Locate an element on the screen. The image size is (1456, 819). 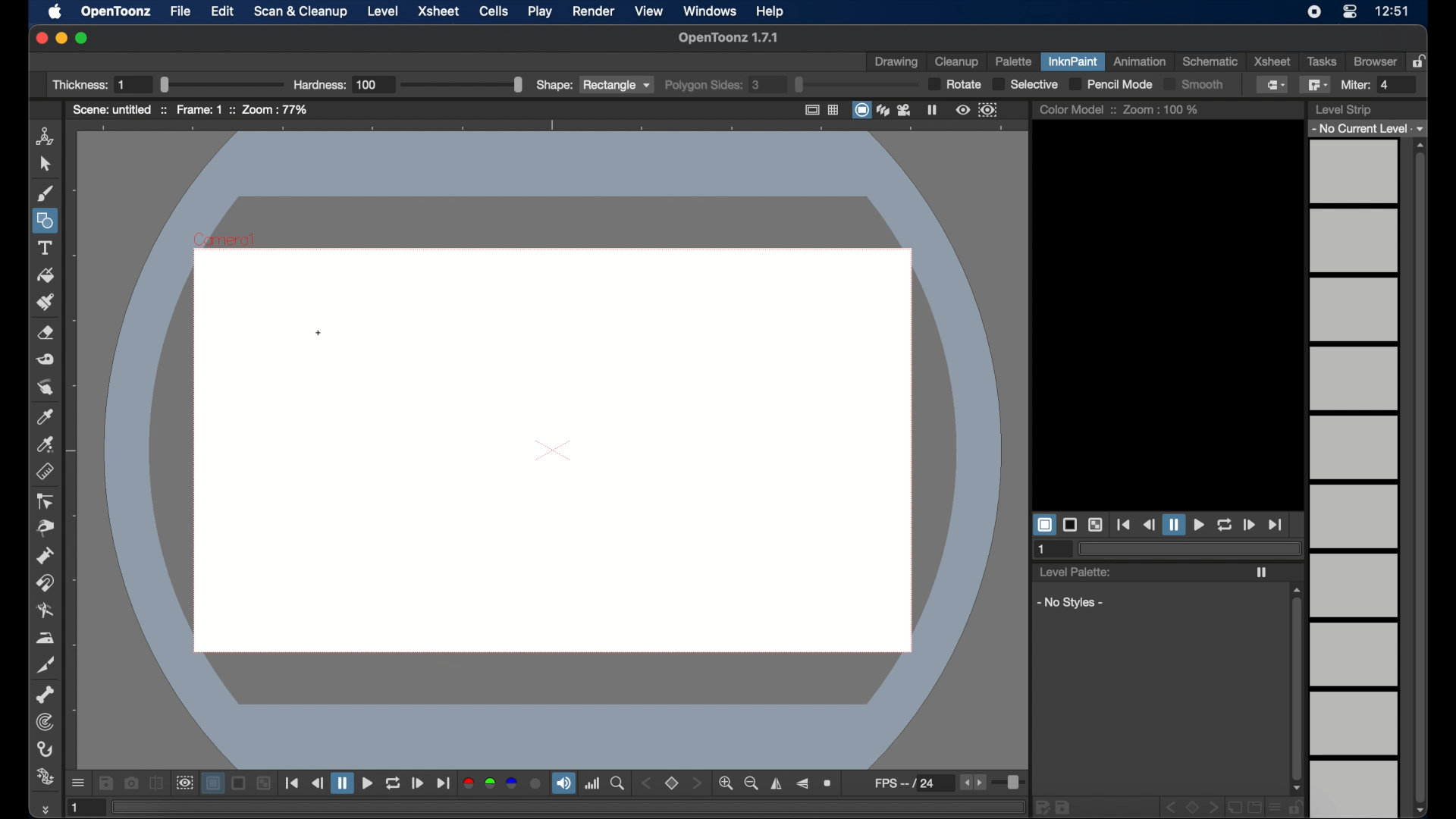
green channel is located at coordinates (491, 783).